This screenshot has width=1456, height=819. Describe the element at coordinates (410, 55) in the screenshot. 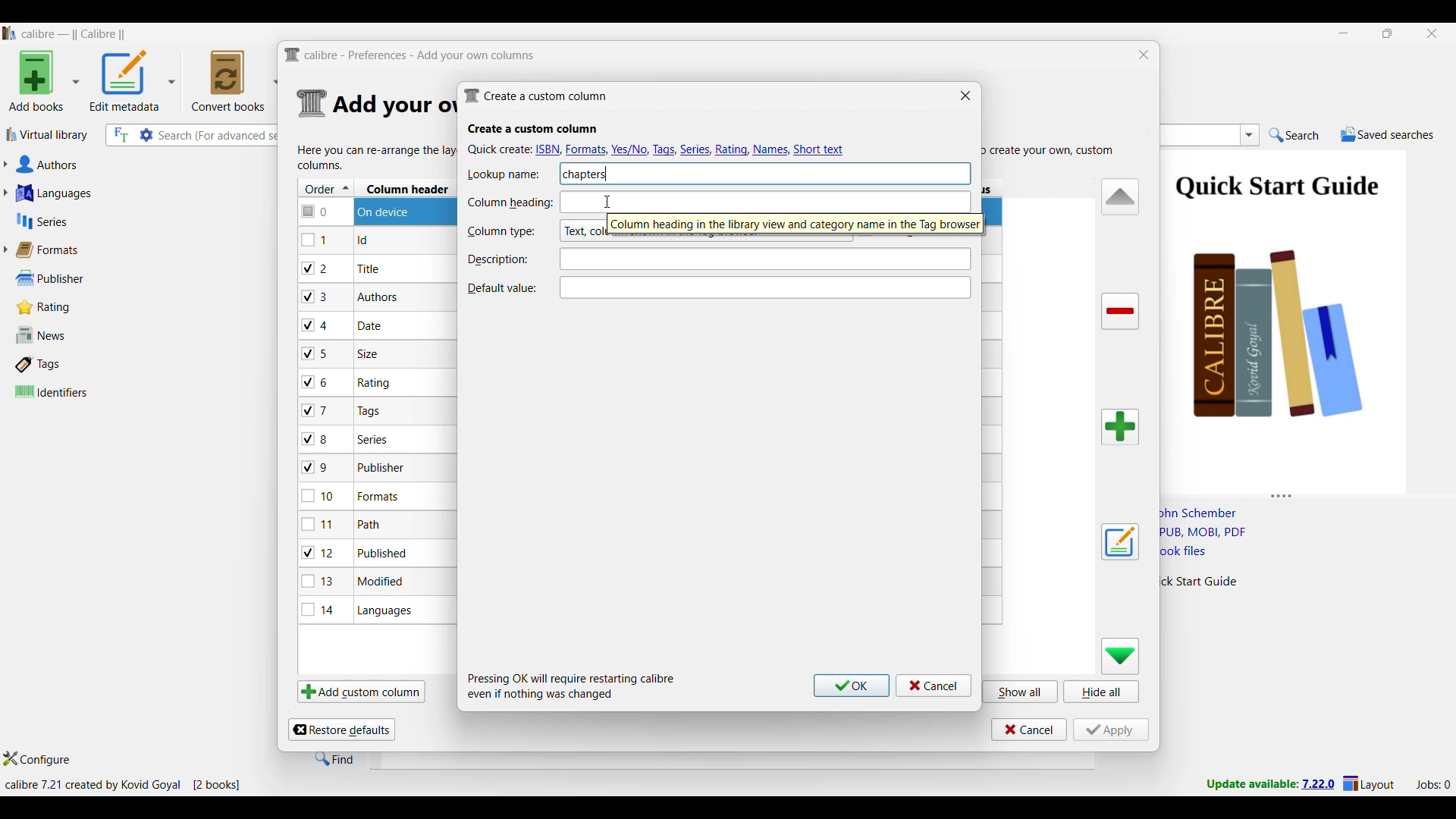

I see `Title and logo of current window` at that location.